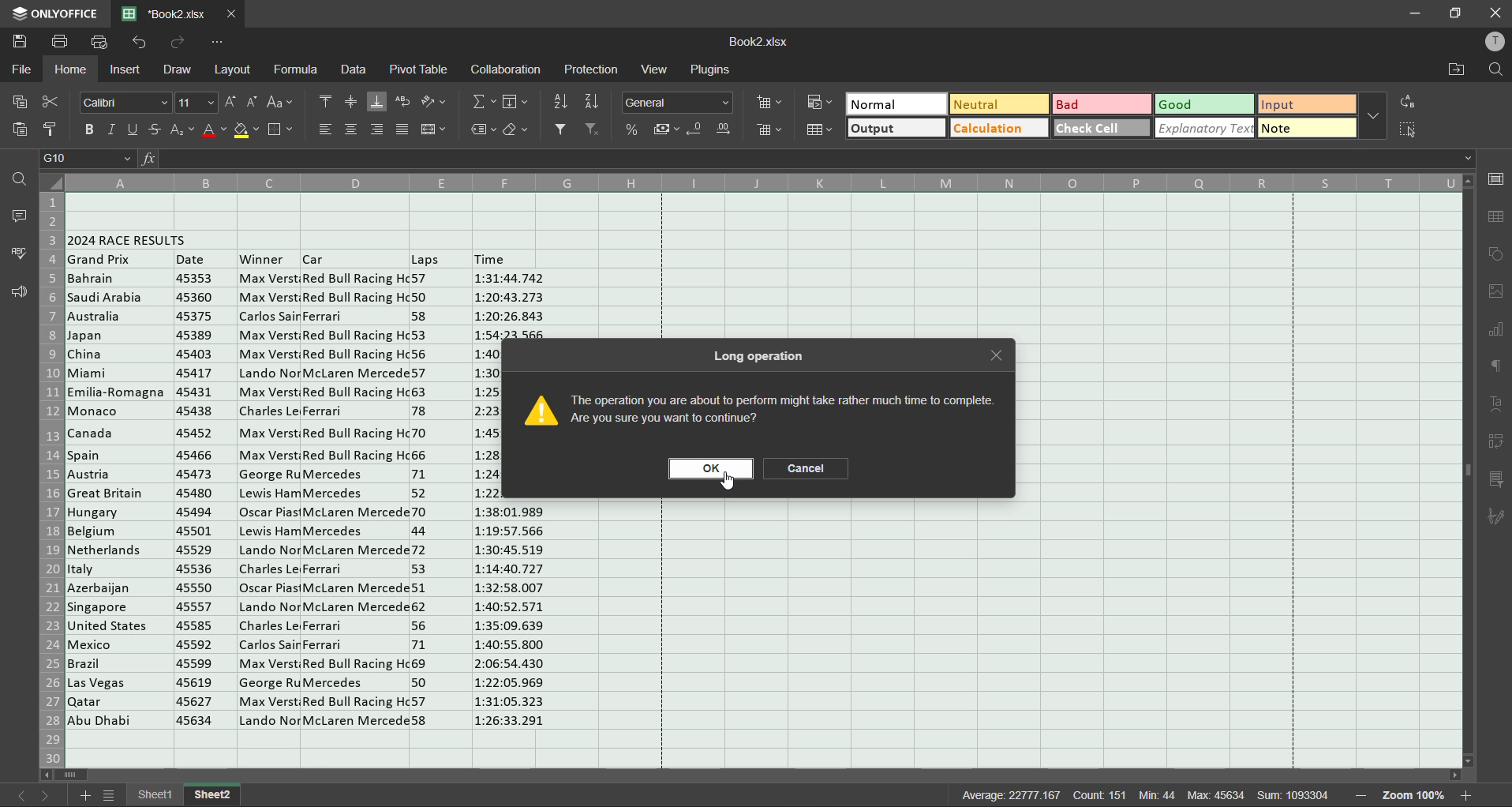  Describe the element at coordinates (89, 796) in the screenshot. I see `add sheet` at that location.